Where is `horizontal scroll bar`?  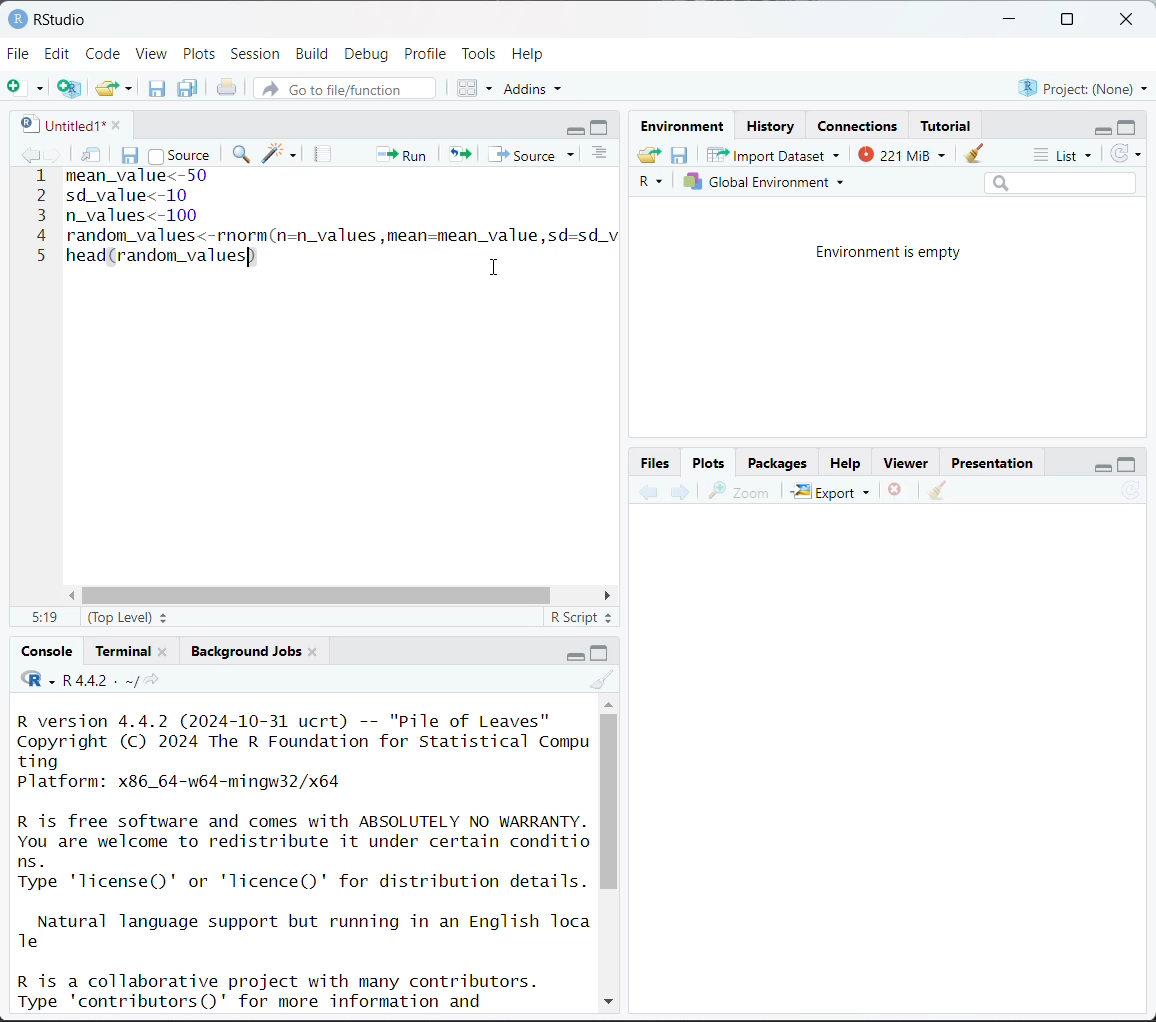 horizontal scroll bar is located at coordinates (343, 596).